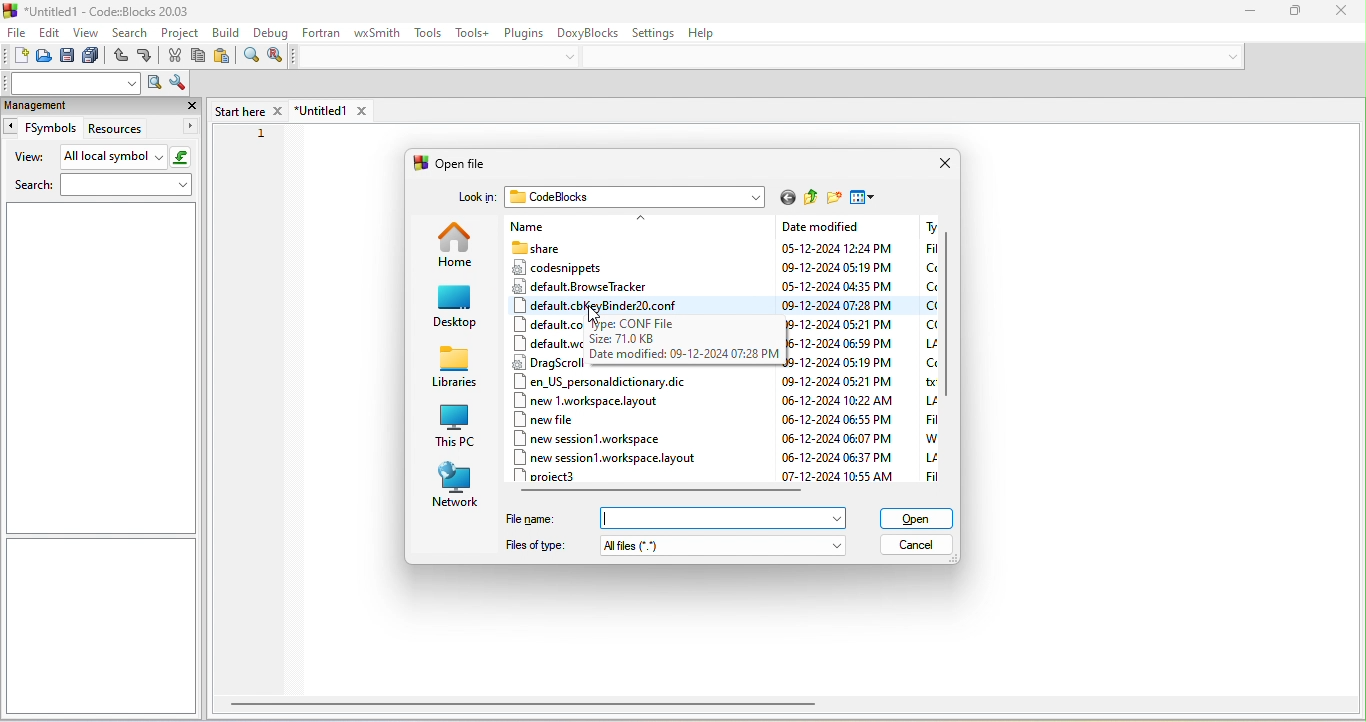 This screenshot has width=1366, height=722. What do you see at coordinates (85, 31) in the screenshot?
I see `view` at bounding box center [85, 31].